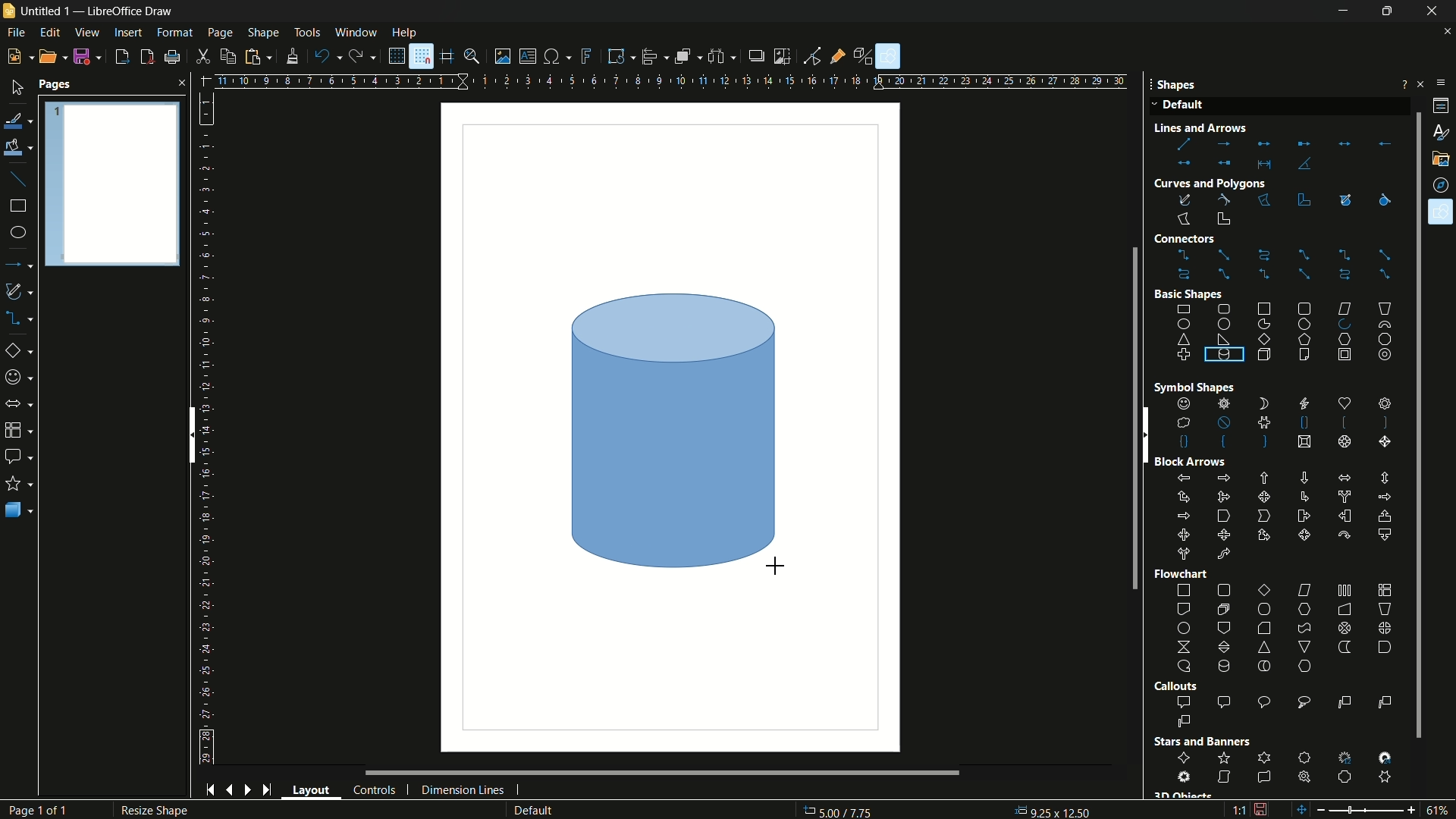 The width and height of the screenshot is (1456, 819). What do you see at coordinates (588, 56) in the screenshot?
I see `insert fontwork text` at bounding box center [588, 56].